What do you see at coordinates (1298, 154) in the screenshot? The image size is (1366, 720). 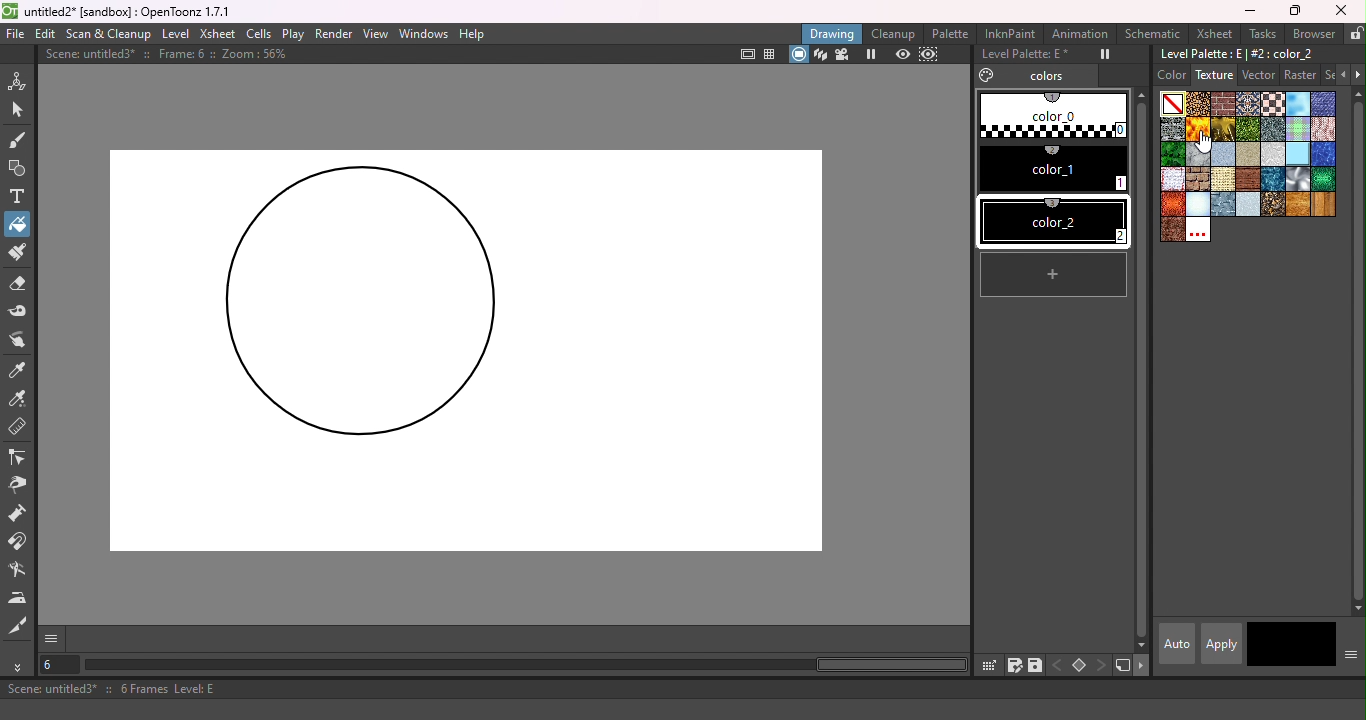 I see `piastrell.bmp` at bounding box center [1298, 154].